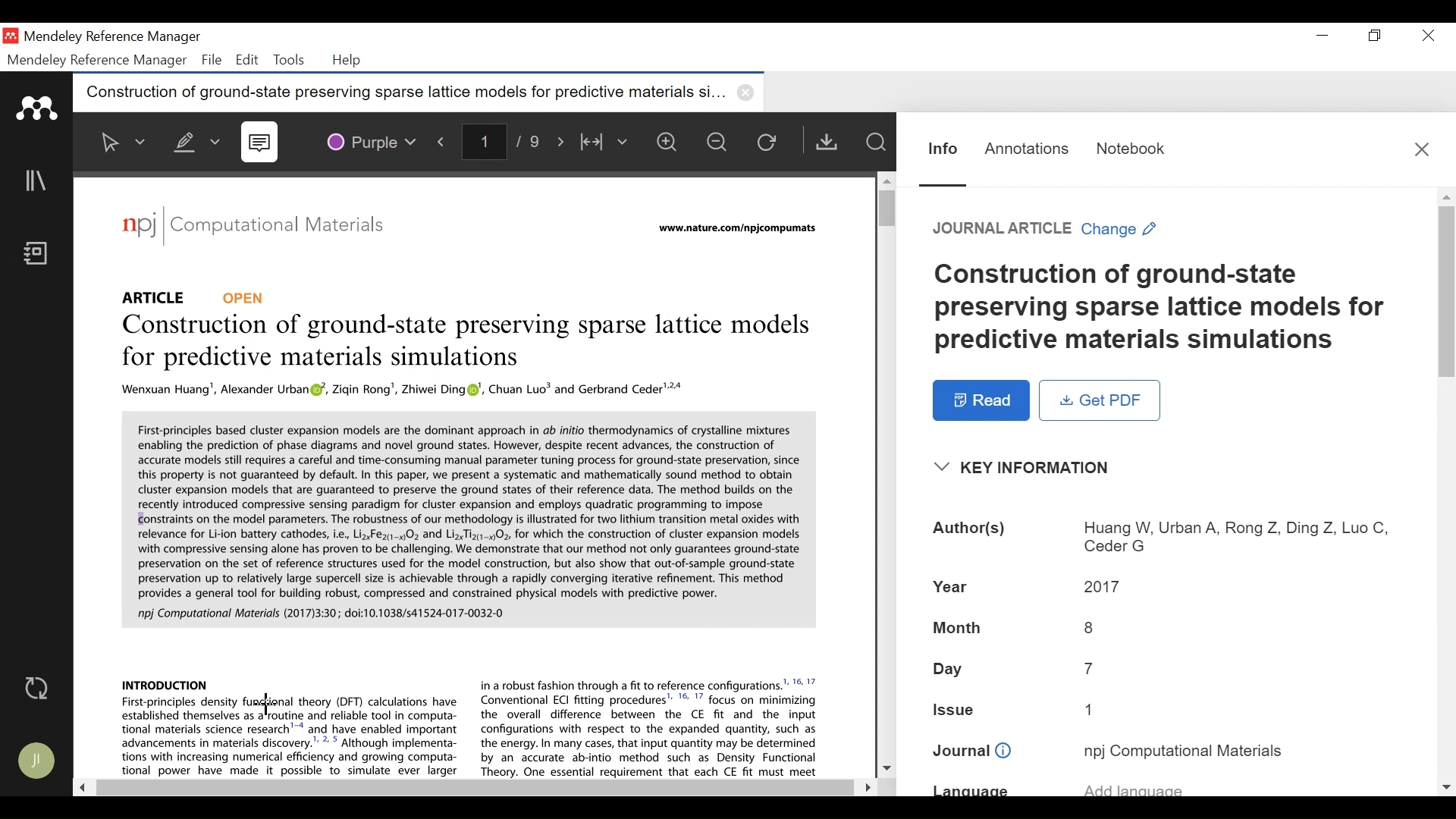 The height and width of the screenshot is (819, 1456). I want to click on Sticky Note, so click(262, 143).